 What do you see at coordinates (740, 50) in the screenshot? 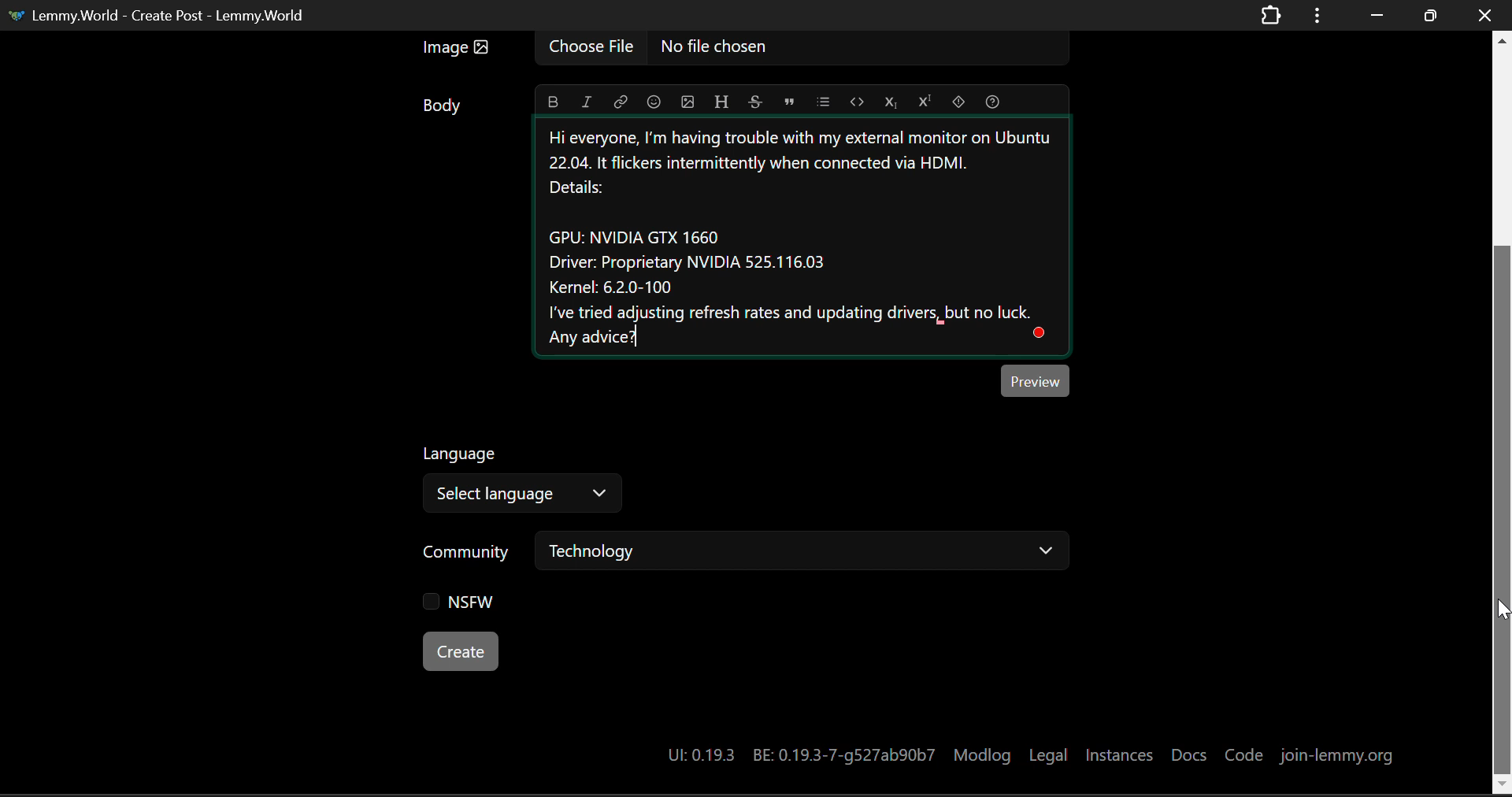
I see `Insert Image Field` at bounding box center [740, 50].